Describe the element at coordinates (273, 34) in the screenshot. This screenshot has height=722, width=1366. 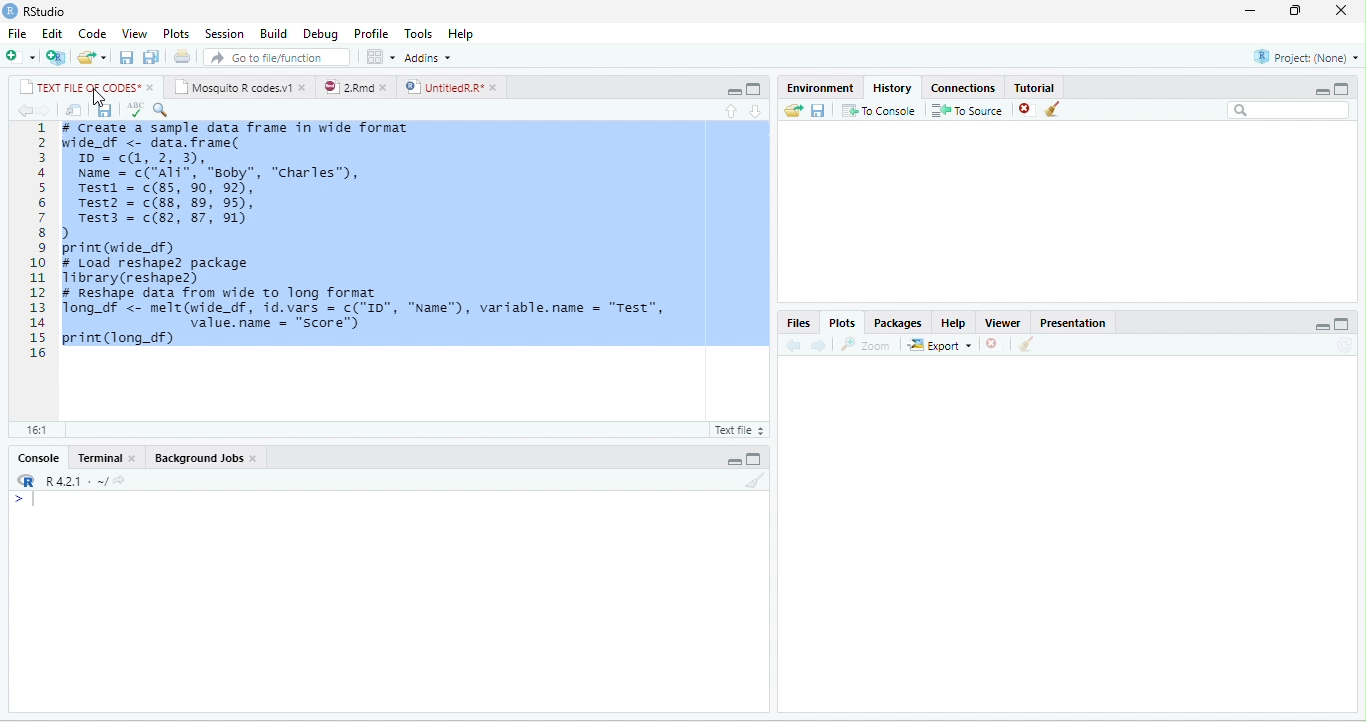
I see `Build` at that location.